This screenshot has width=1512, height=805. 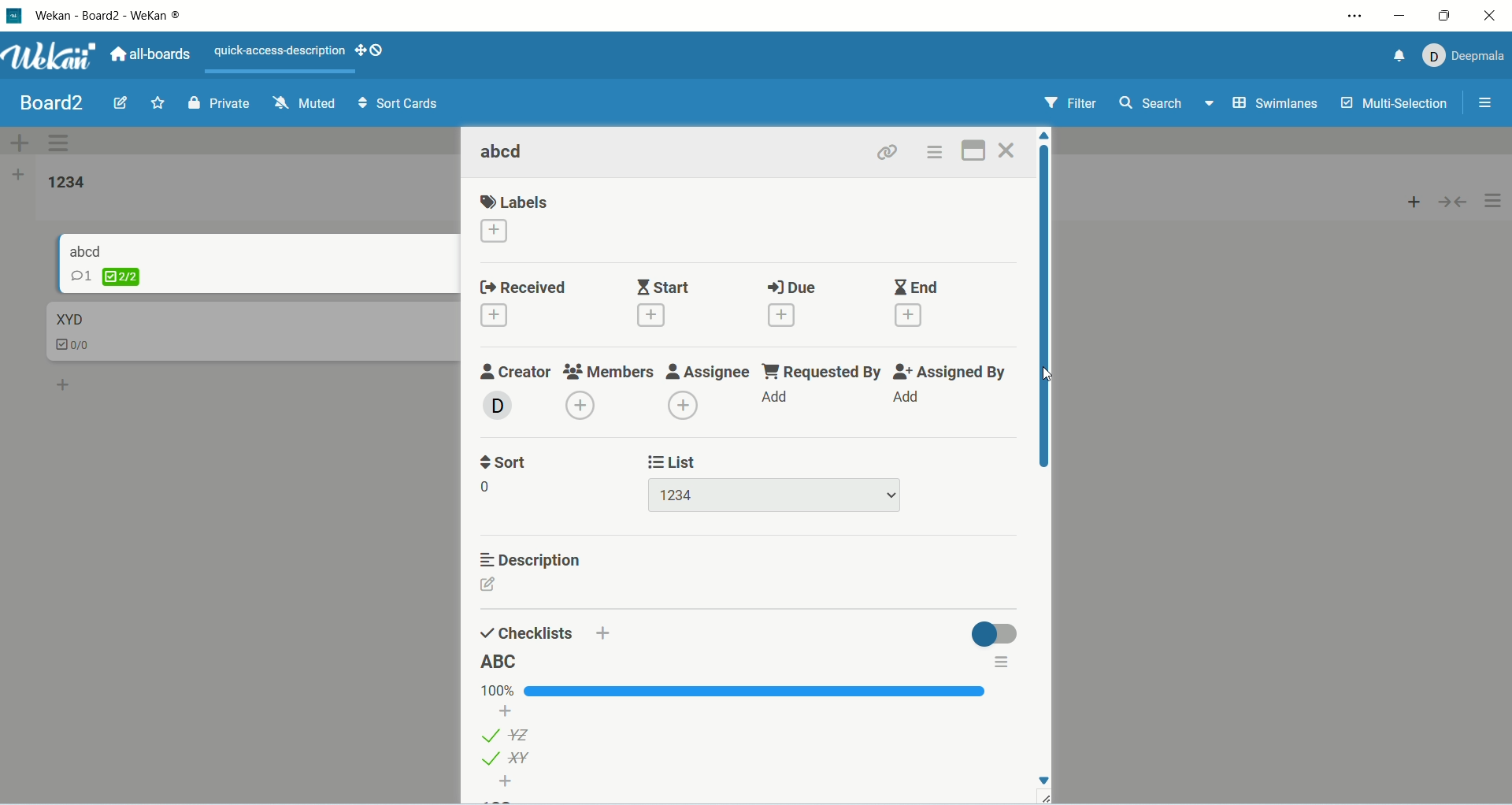 I want to click on add, so click(x=911, y=316).